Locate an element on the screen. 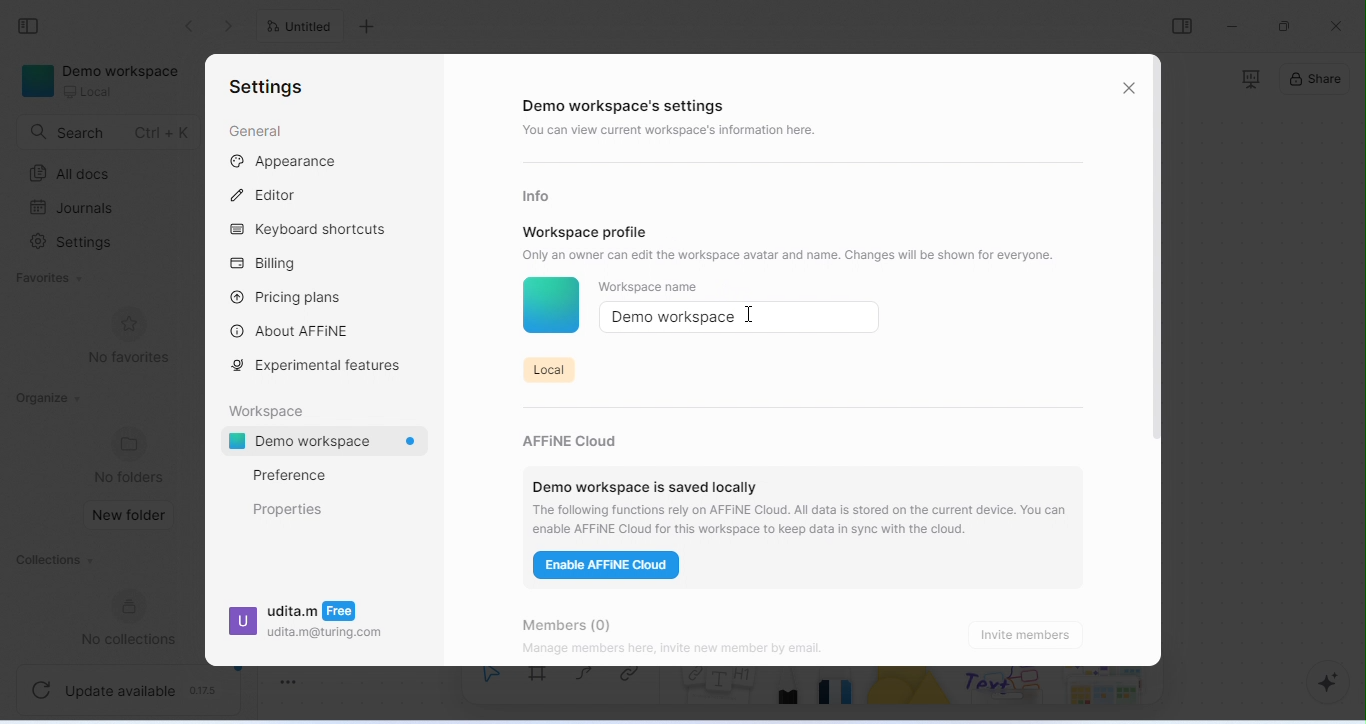 This screenshot has width=1366, height=724. appearance is located at coordinates (285, 162).